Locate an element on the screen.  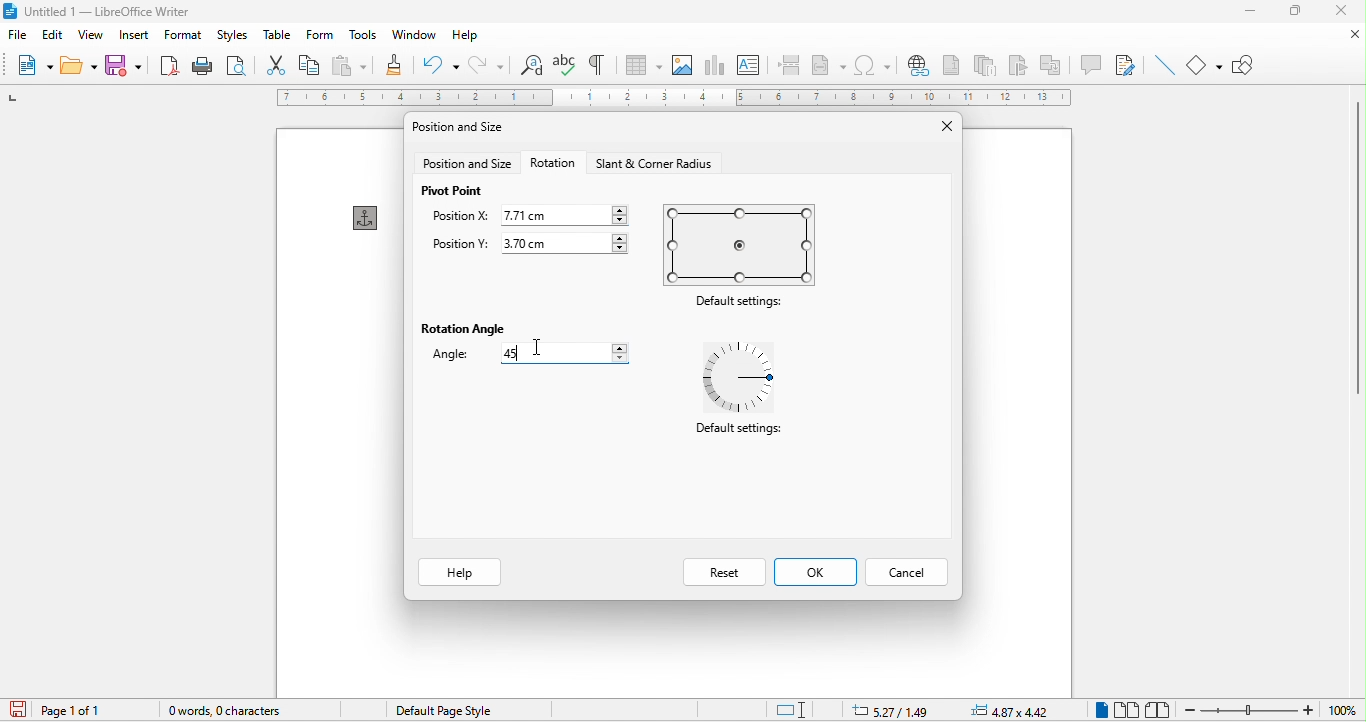
help is located at coordinates (463, 36).